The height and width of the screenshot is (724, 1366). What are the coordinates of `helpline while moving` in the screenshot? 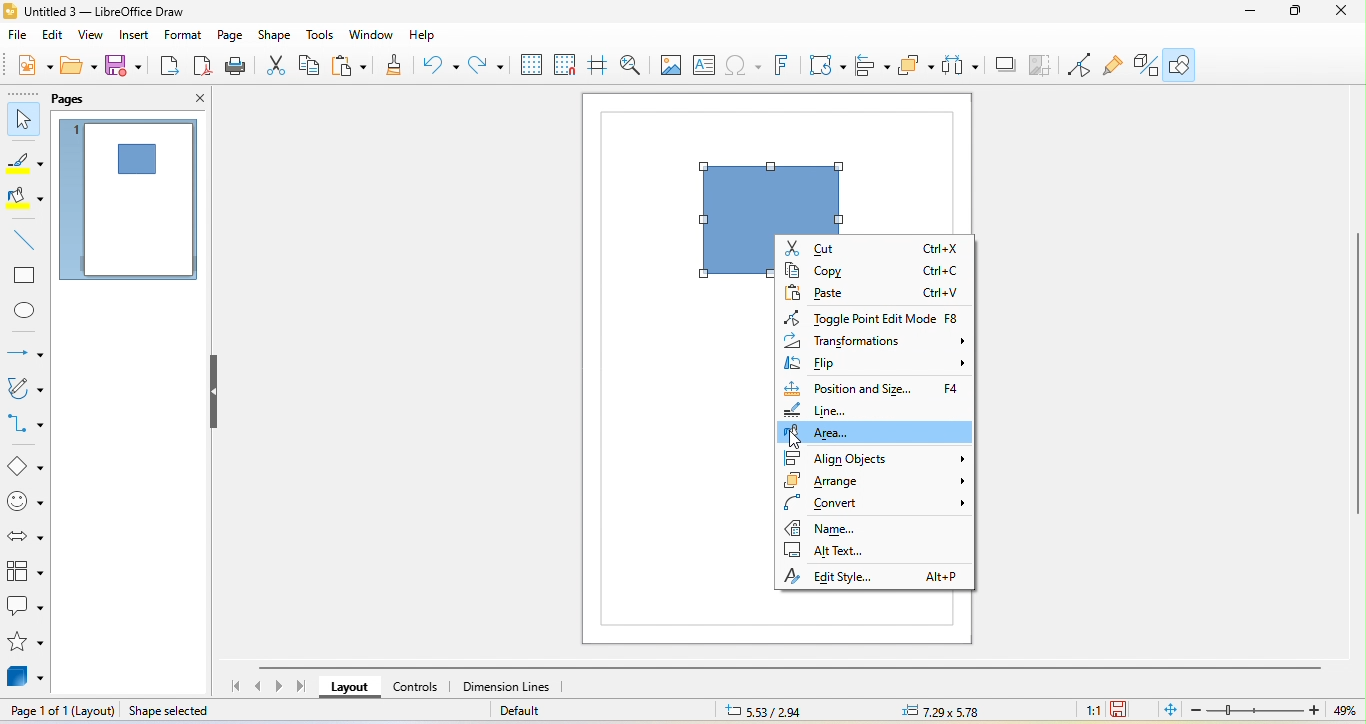 It's located at (597, 67).